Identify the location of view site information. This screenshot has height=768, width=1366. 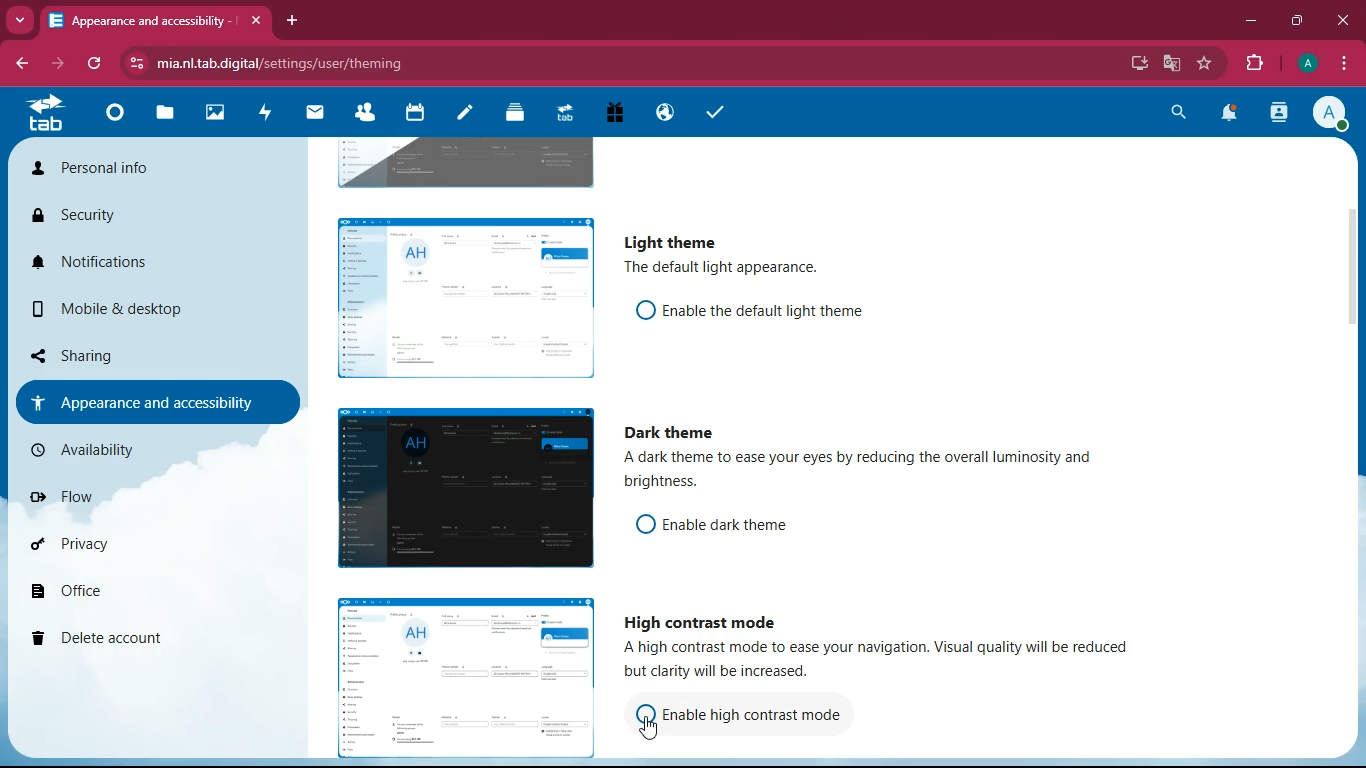
(134, 64).